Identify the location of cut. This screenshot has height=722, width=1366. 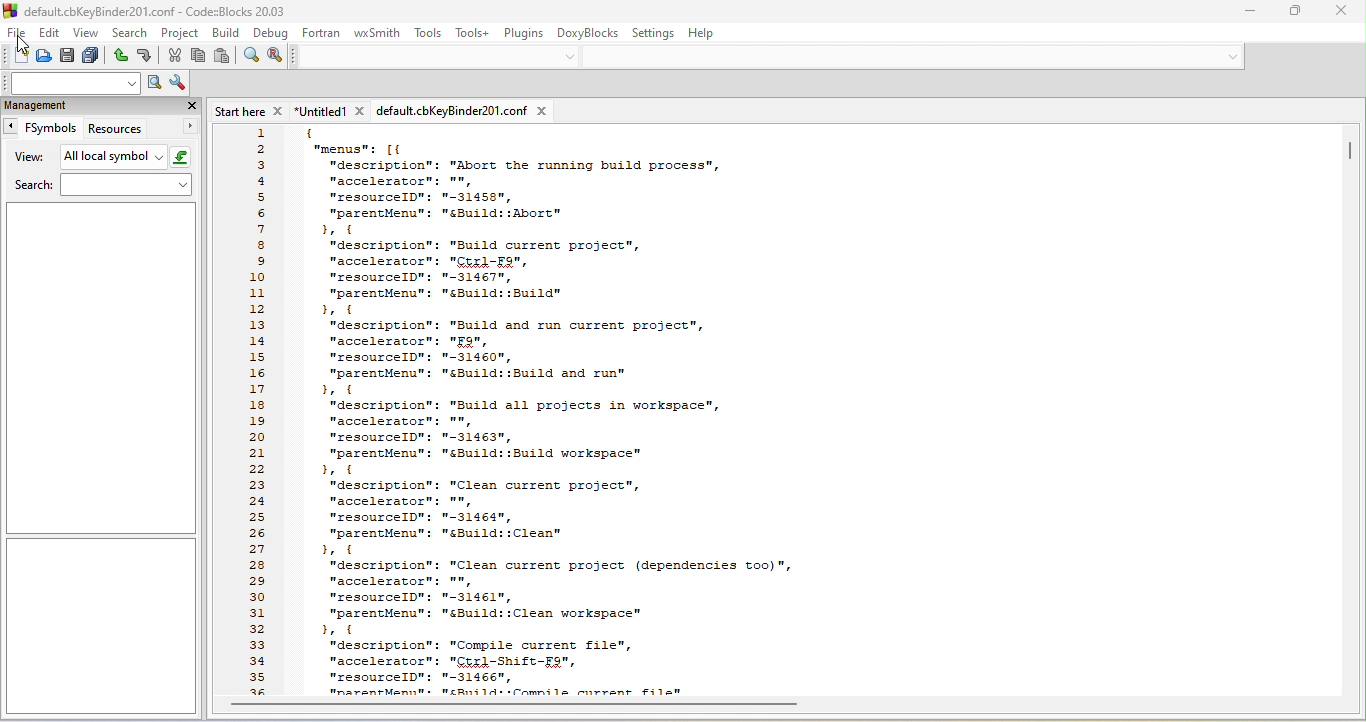
(174, 57).